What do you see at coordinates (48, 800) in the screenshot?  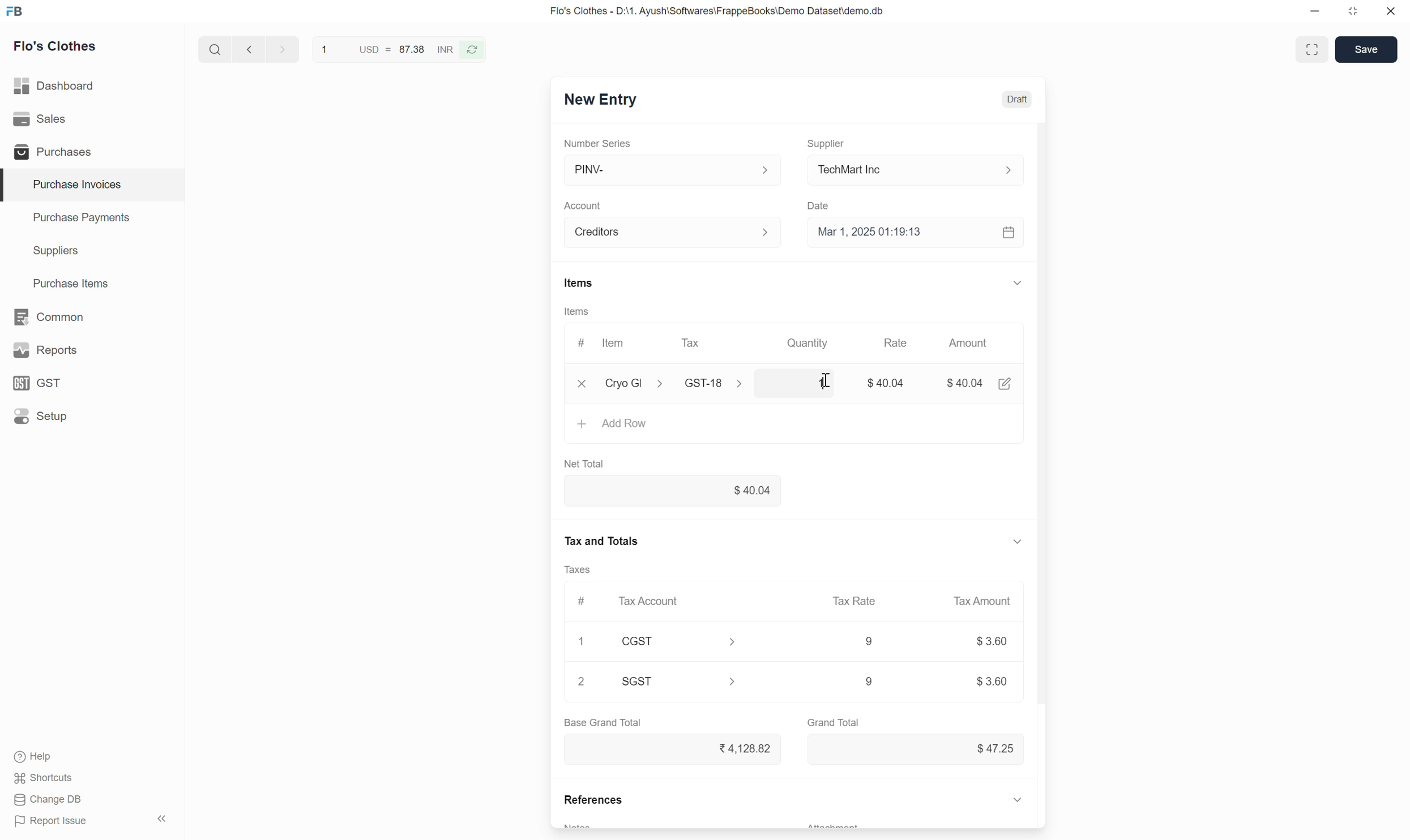 I see `Change DB` at bounding box center [48, 800].